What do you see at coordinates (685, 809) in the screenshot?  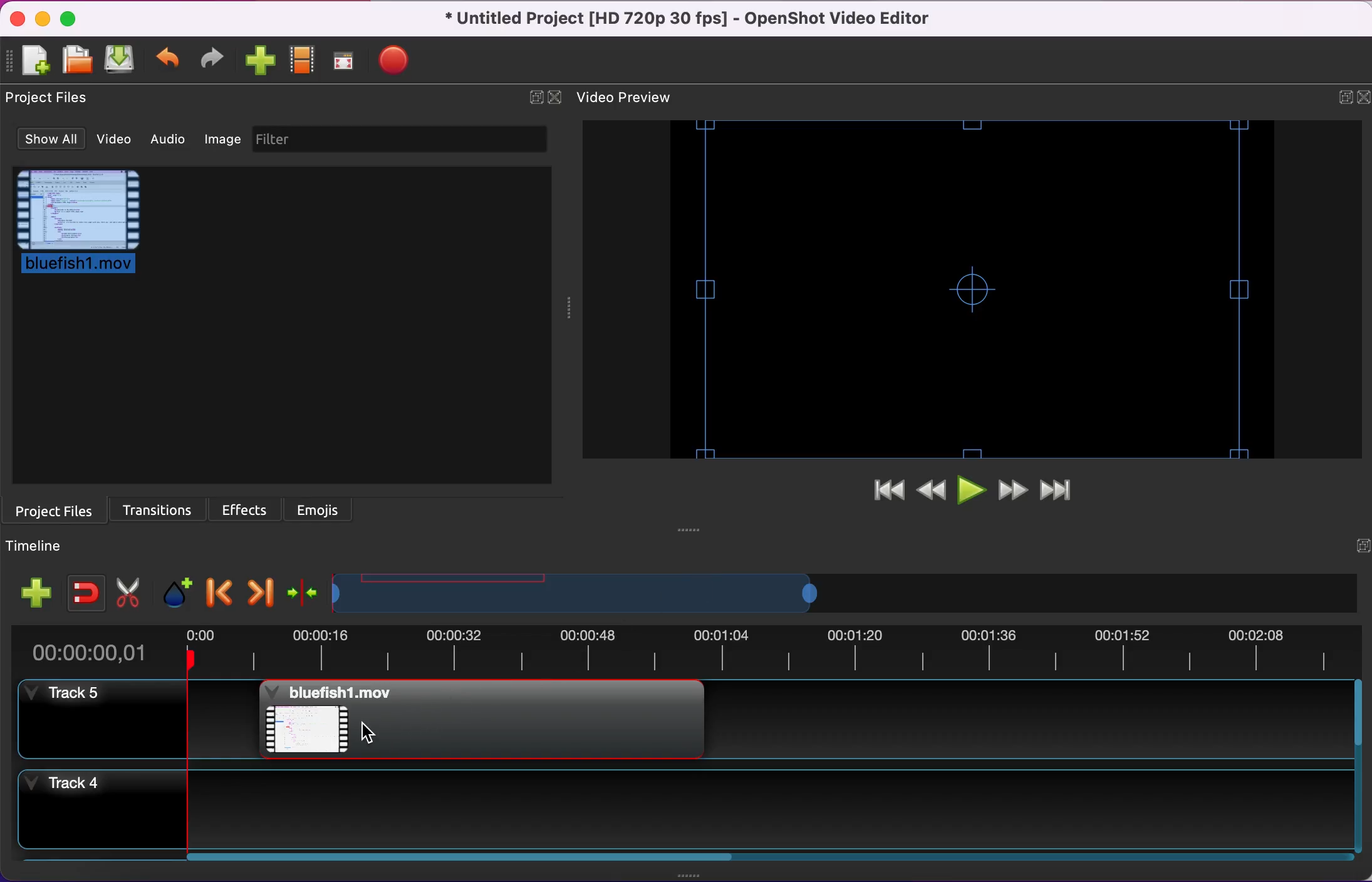 I see `track 4` at bounding box center [685, 809].